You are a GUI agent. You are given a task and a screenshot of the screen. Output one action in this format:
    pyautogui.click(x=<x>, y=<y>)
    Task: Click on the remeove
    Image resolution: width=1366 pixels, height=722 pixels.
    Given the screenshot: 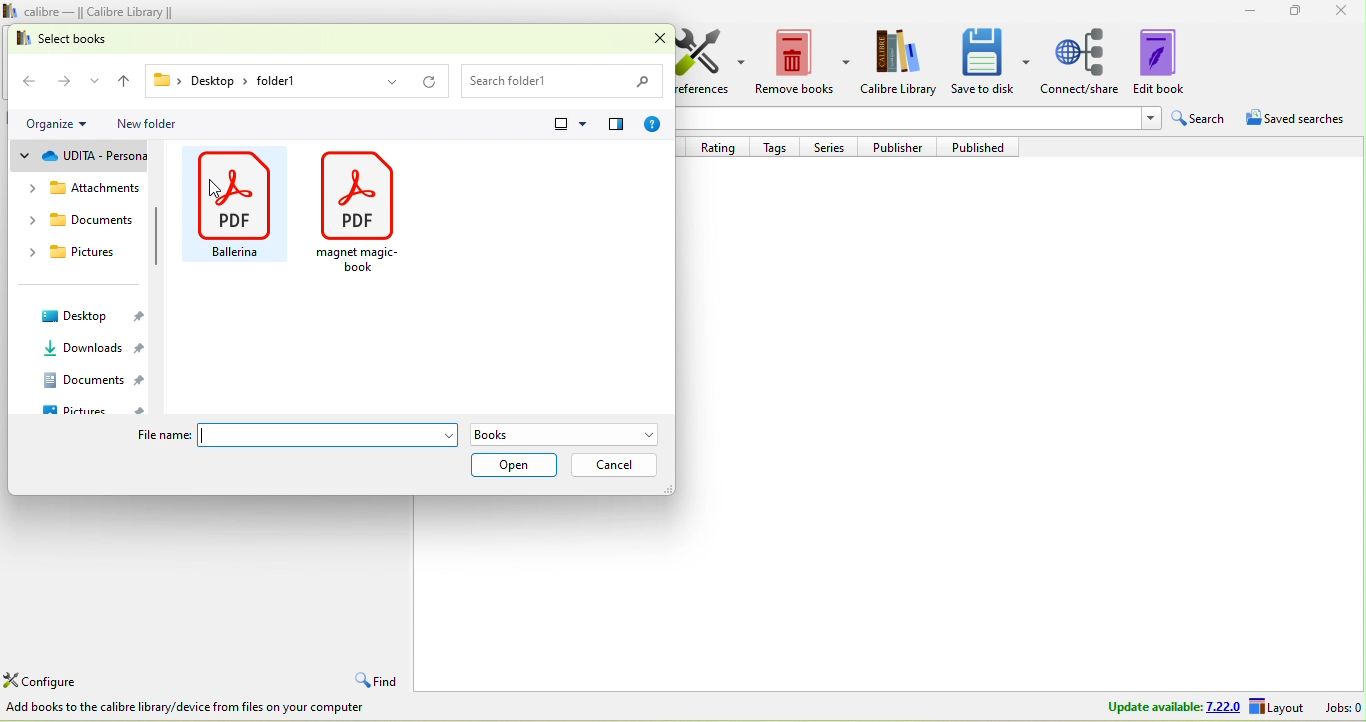 What is the action you would take?
    pyautogui.click(x=802, y=63)
    